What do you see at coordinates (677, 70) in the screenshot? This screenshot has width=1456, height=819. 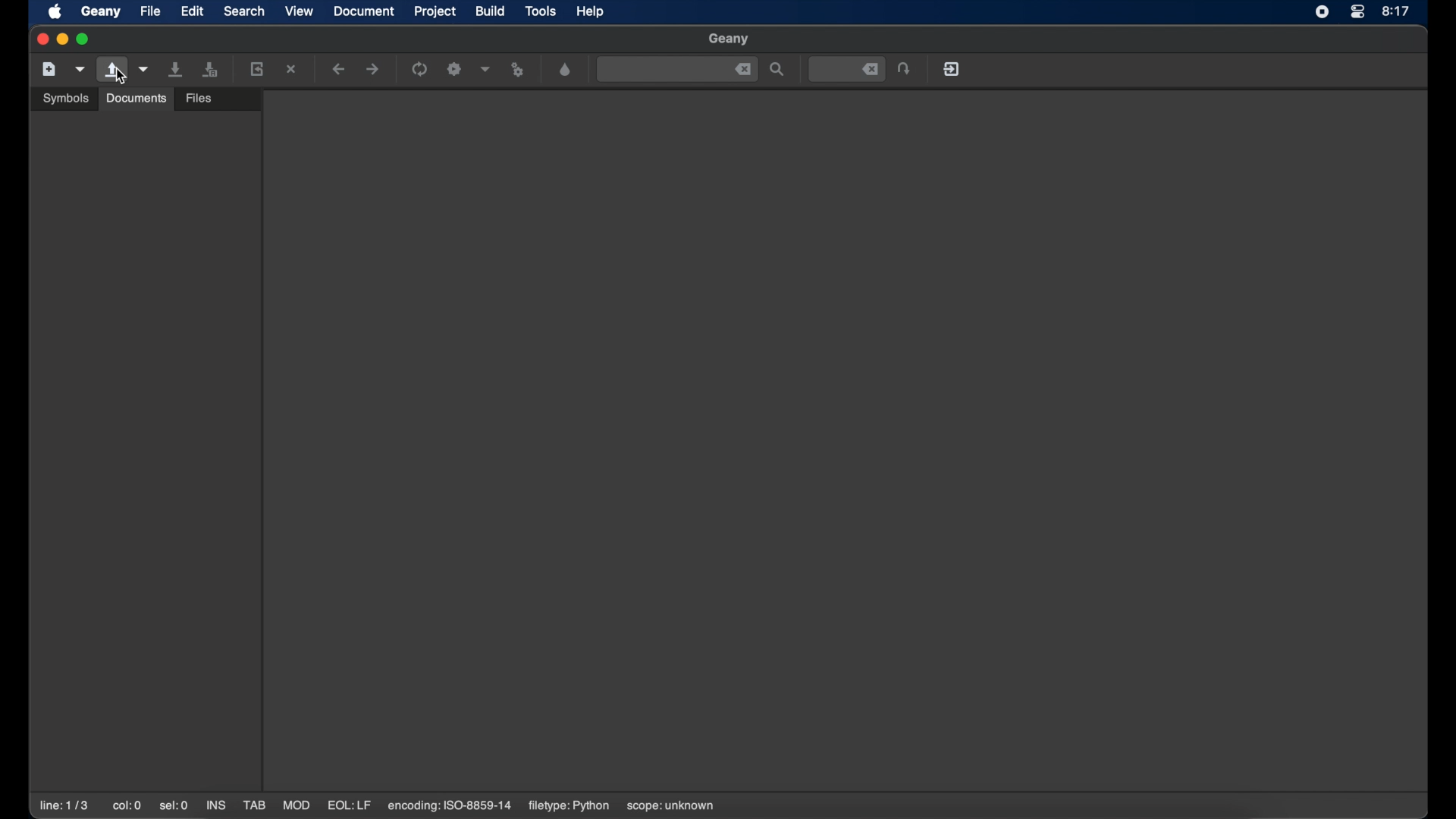 I see `find the entered text in current file` at bounding box center [677, 70].